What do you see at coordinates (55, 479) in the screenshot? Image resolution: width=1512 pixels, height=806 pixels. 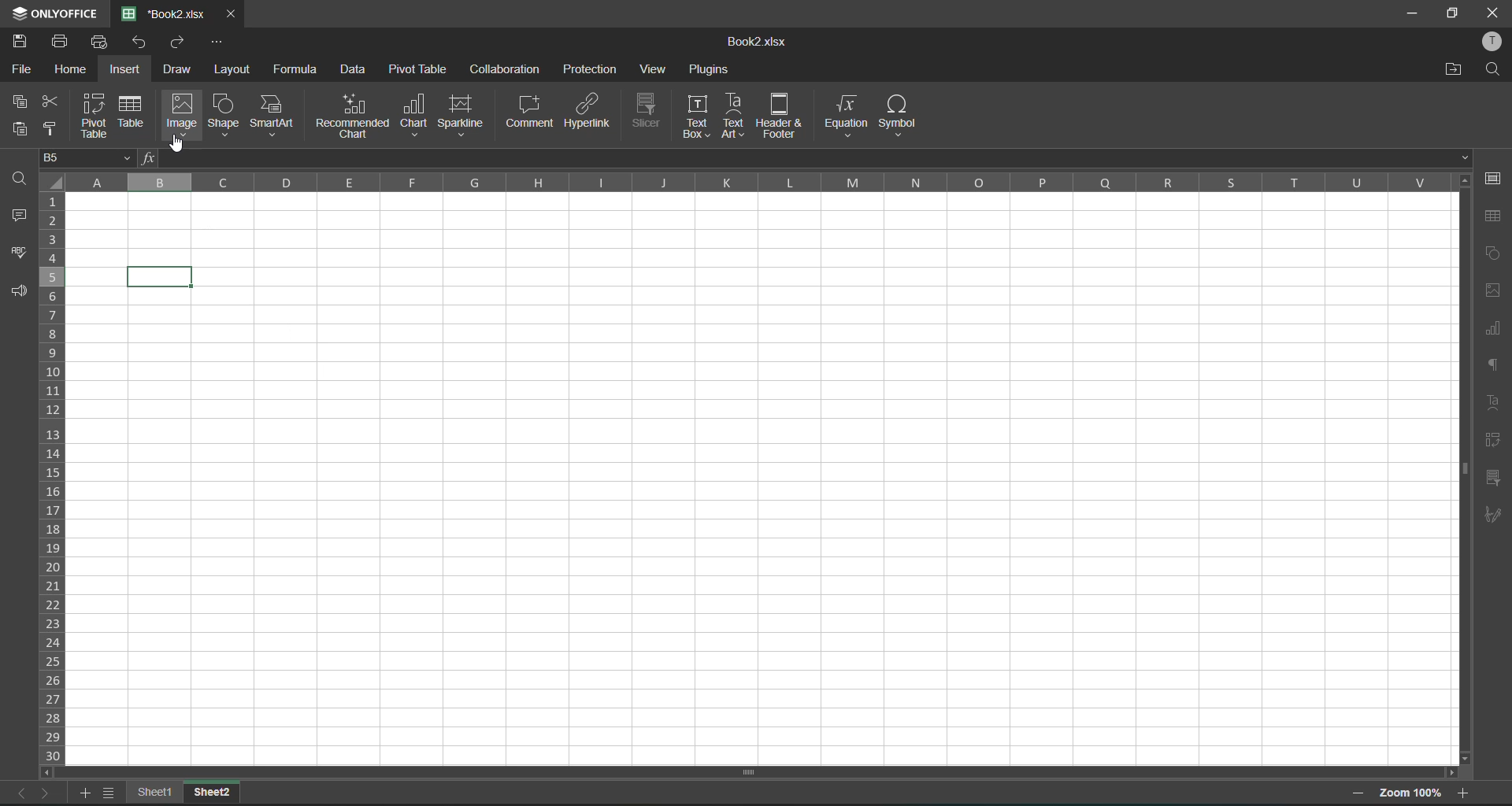 I see `row numbers` at bounding box center [55, 479].